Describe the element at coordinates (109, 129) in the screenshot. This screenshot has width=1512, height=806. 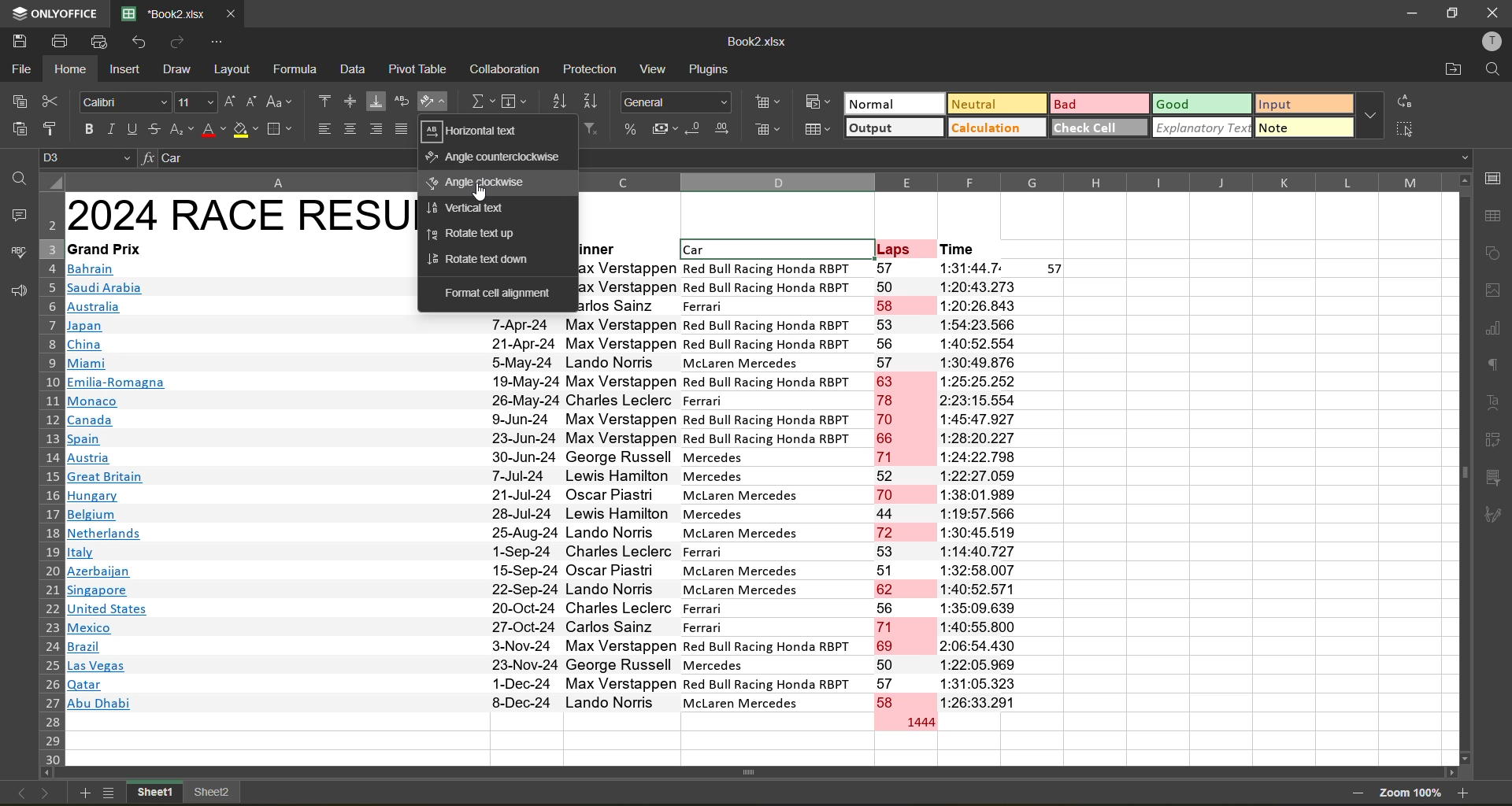
I see `italic` at that location.